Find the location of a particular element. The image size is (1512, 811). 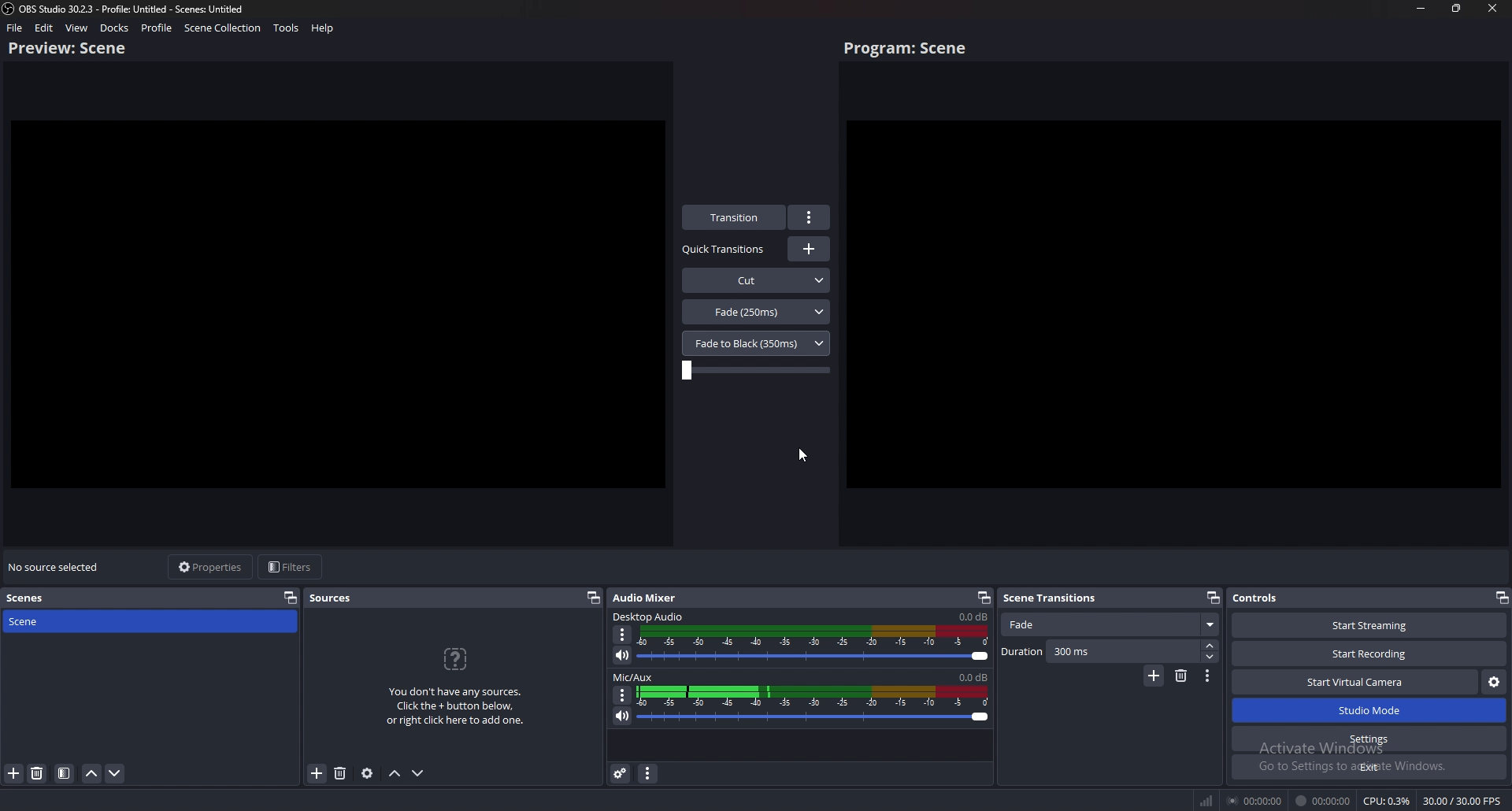

delete source is located at coordinates (37, 774).